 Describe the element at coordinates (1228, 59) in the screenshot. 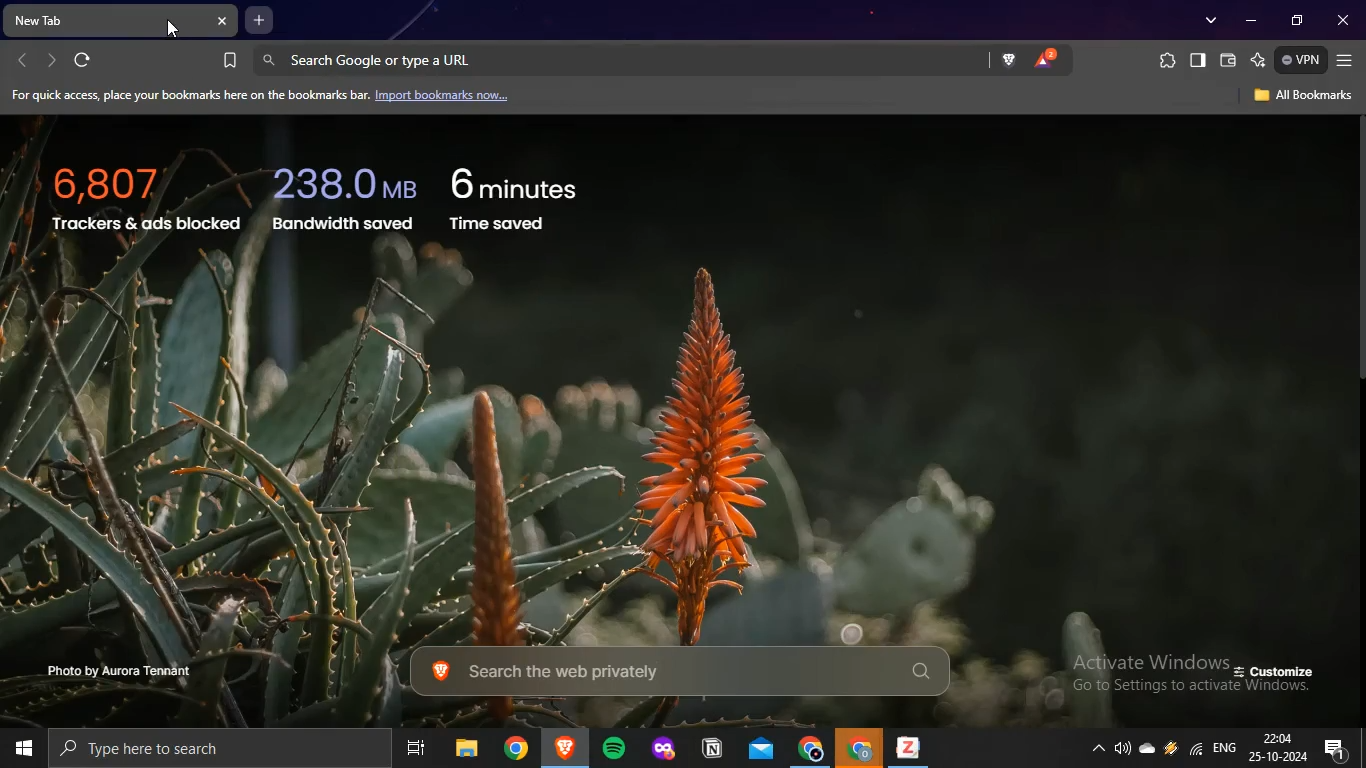

I see `brave wallet` at that location.